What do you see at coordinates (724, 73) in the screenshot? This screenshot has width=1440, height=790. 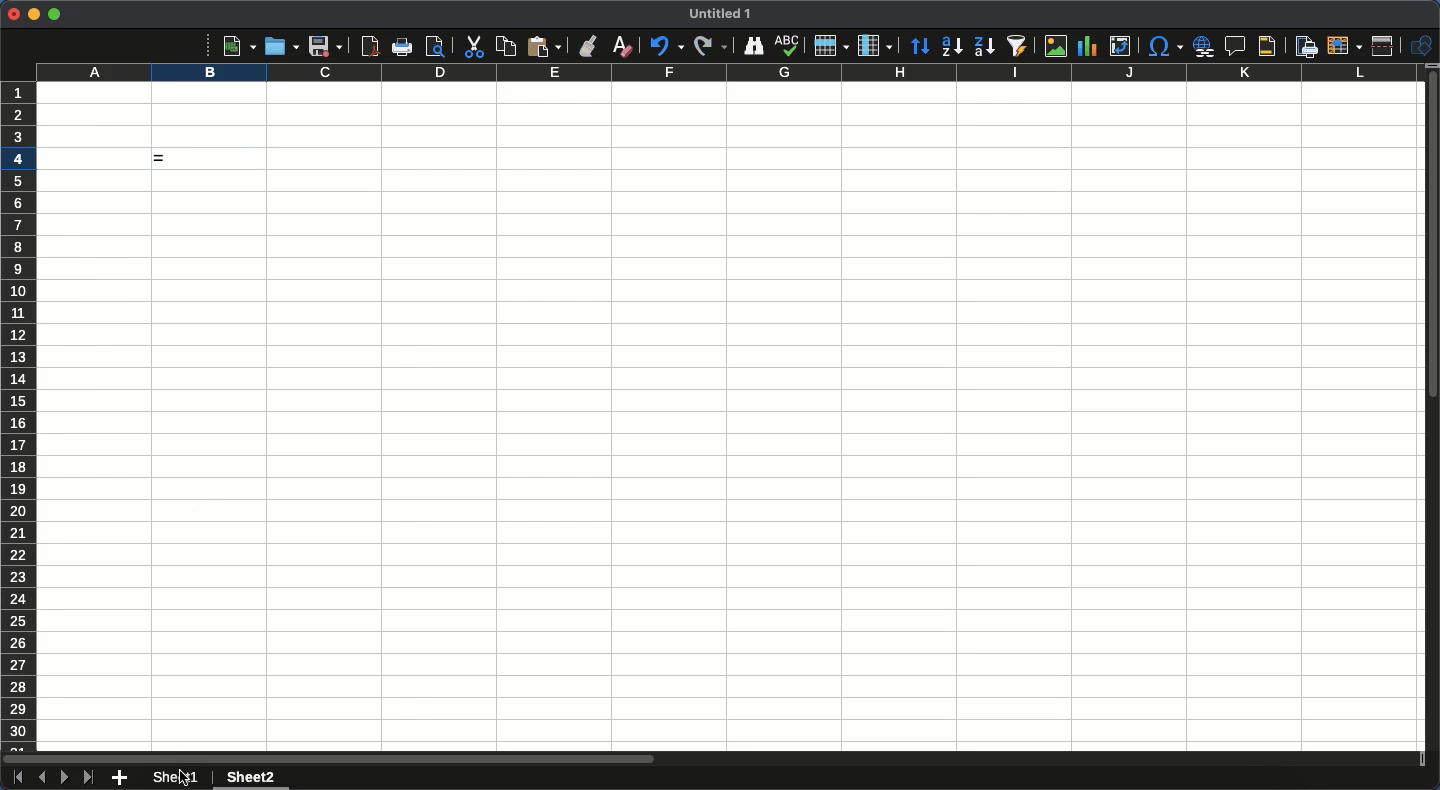 I see `Columns` at bounding box center [724, 73].